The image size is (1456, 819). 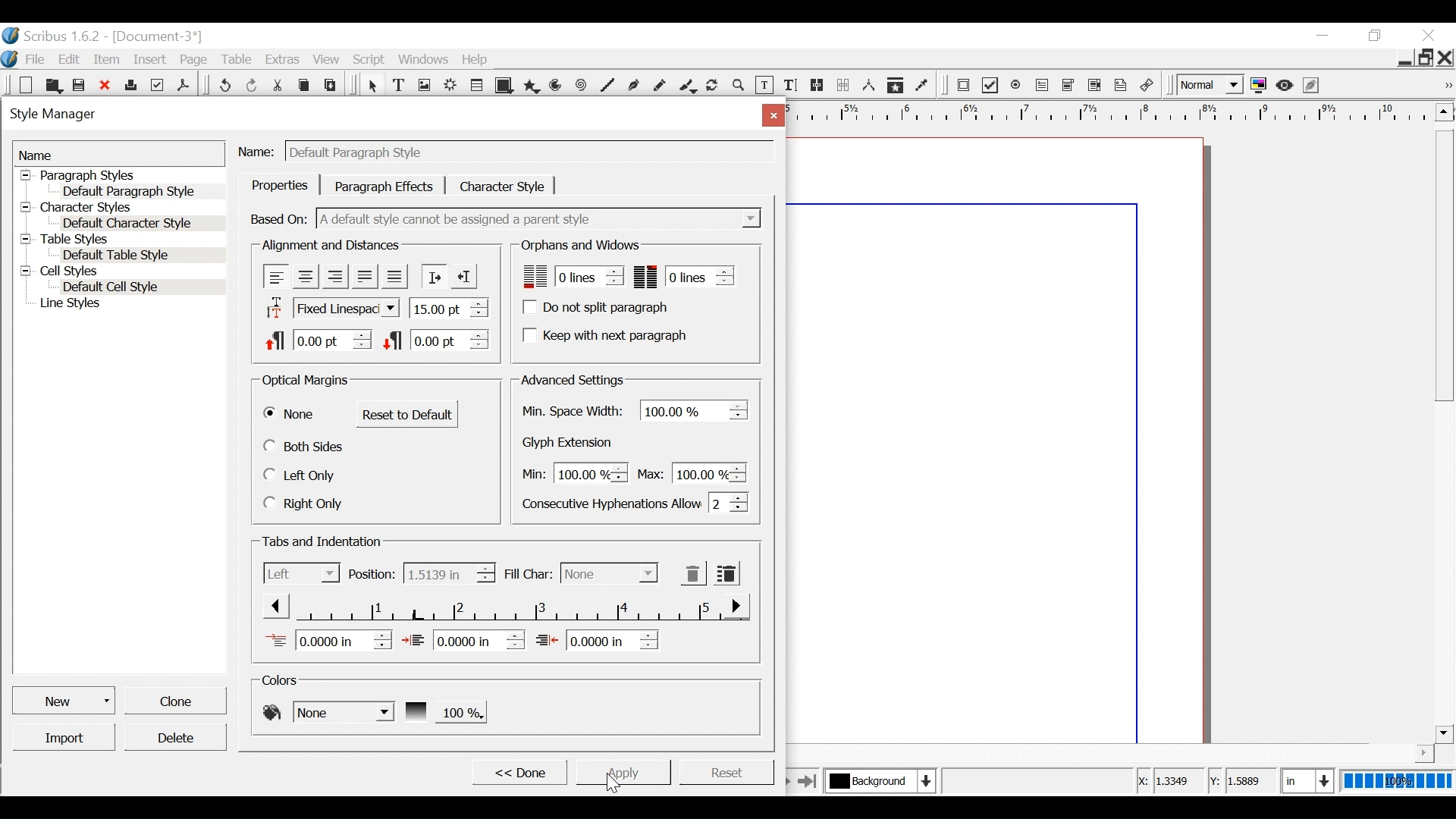 What do you see at coordinates (71, 59) in the screenshot?
I see `Edit` at bounding box center [71, 59].